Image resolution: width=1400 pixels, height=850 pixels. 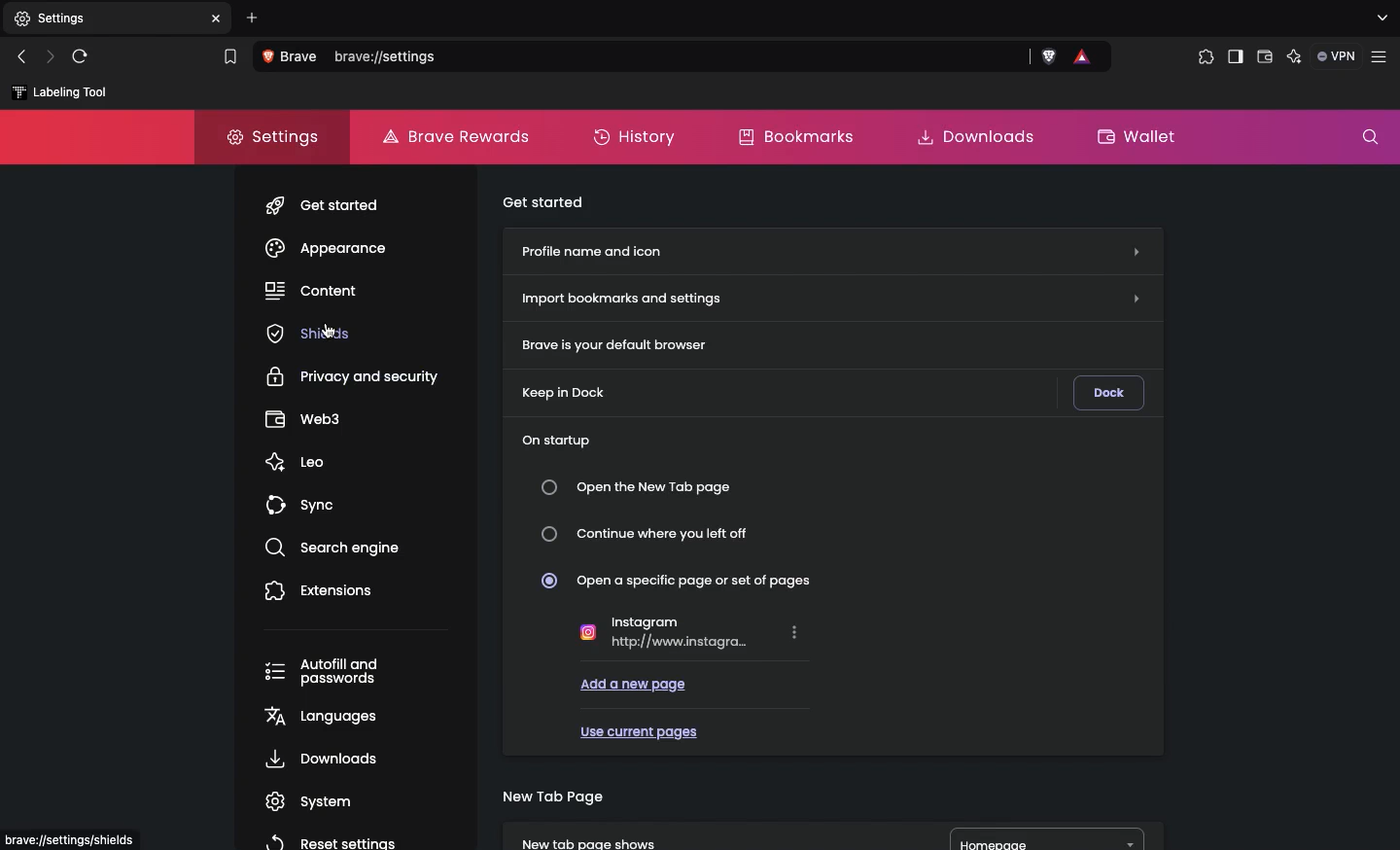 I want to click on Wallet, so click(x=1265, y=58).